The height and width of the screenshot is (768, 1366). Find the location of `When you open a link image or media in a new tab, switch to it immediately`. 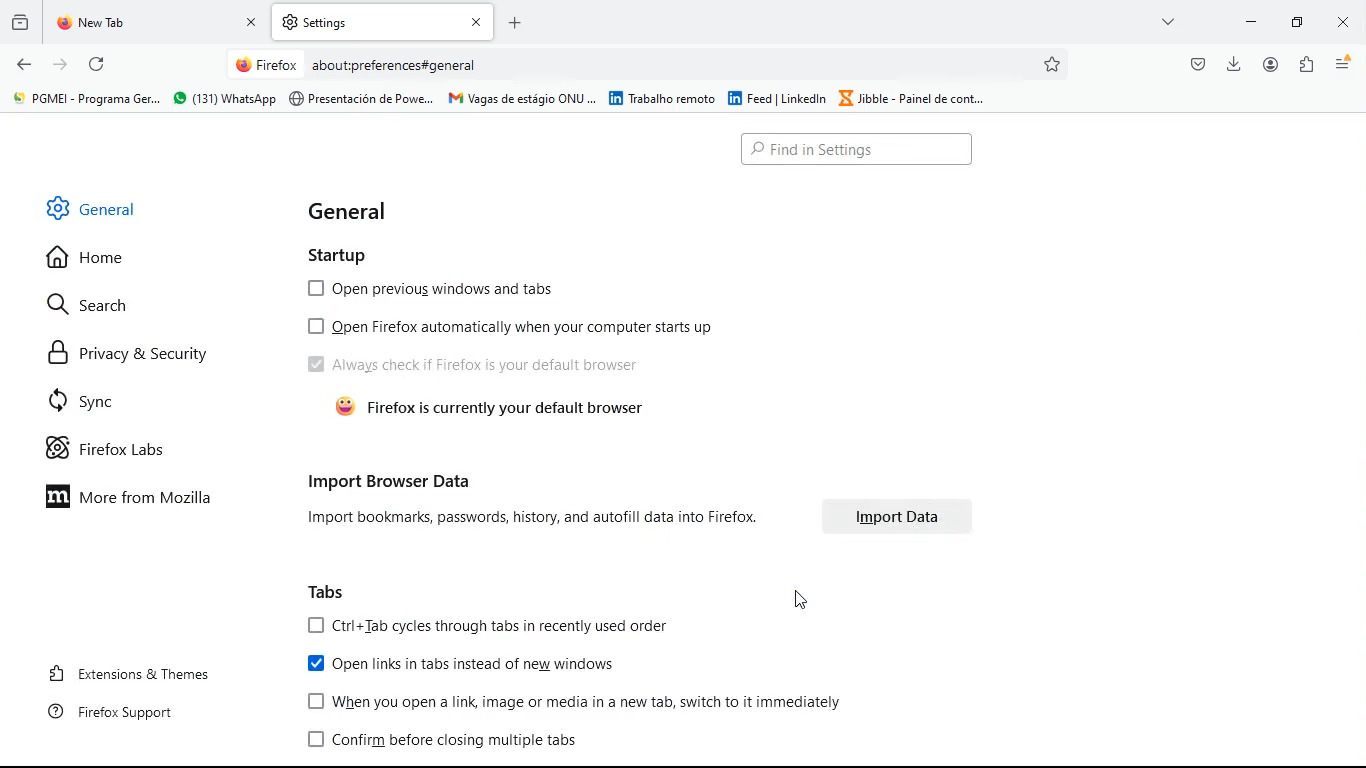

When you open a link image or media in a new tab, switch to it immediately is located at coordinates (579, 702).